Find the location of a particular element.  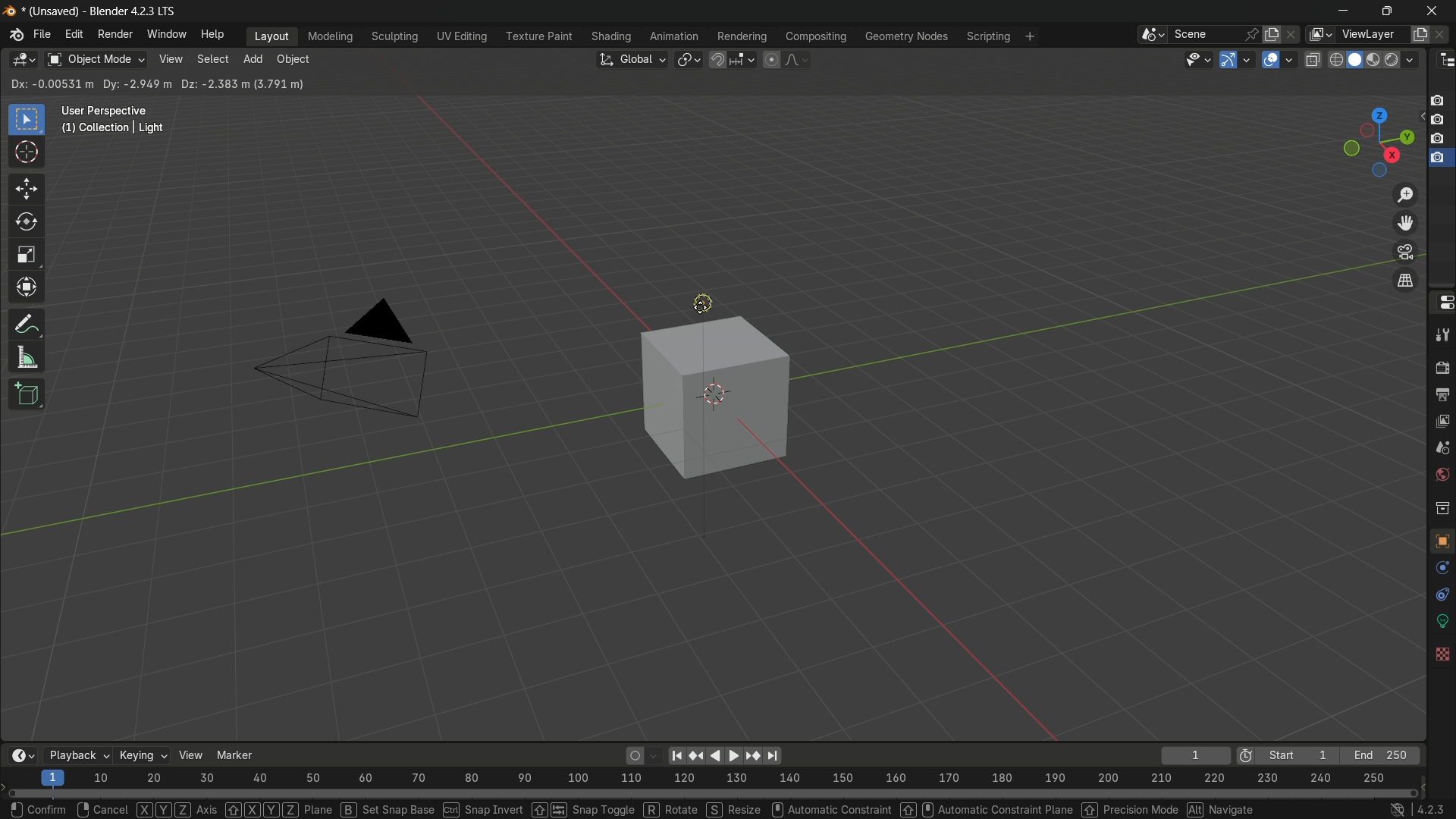

Dx: -0.00531m Dy: -2.949 m Dz: -2.383 m (3.791 m) is located at coordinates (159, 85).